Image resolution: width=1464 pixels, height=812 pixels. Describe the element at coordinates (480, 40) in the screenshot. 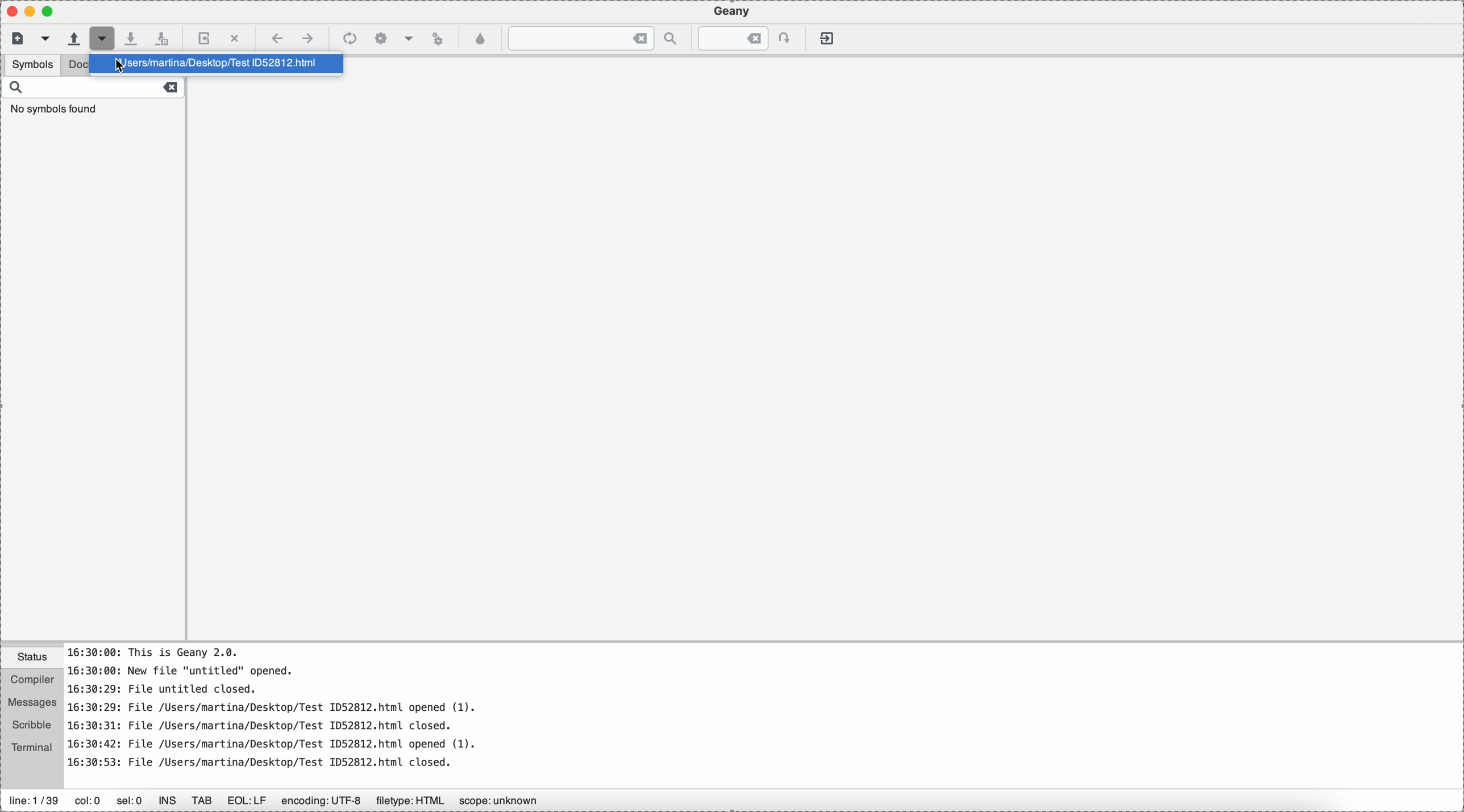

I see `choose color` at that location.